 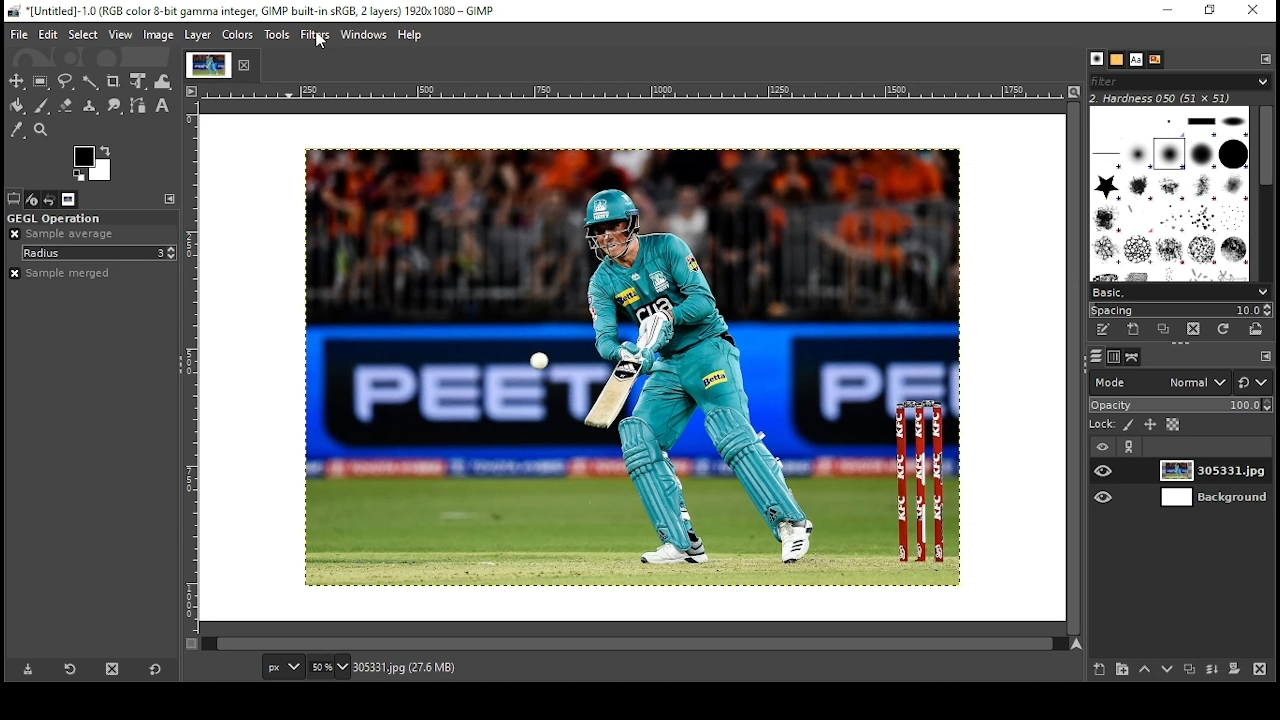 I want to click on color, so click(x=92, y=164).